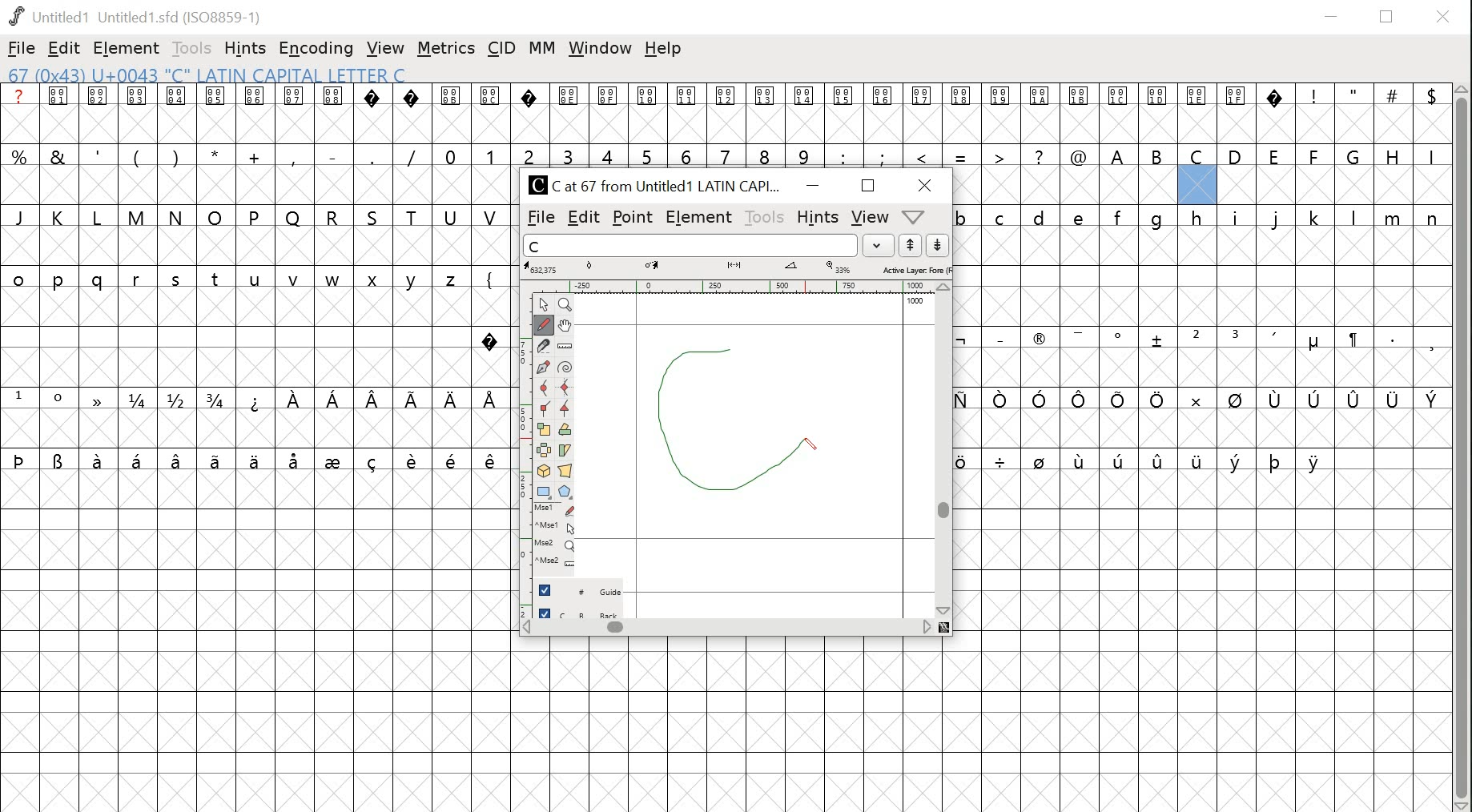  What do you see at coordinates (546, 303) in the screenshot?
I see `point` at bounding box center [546, 303].